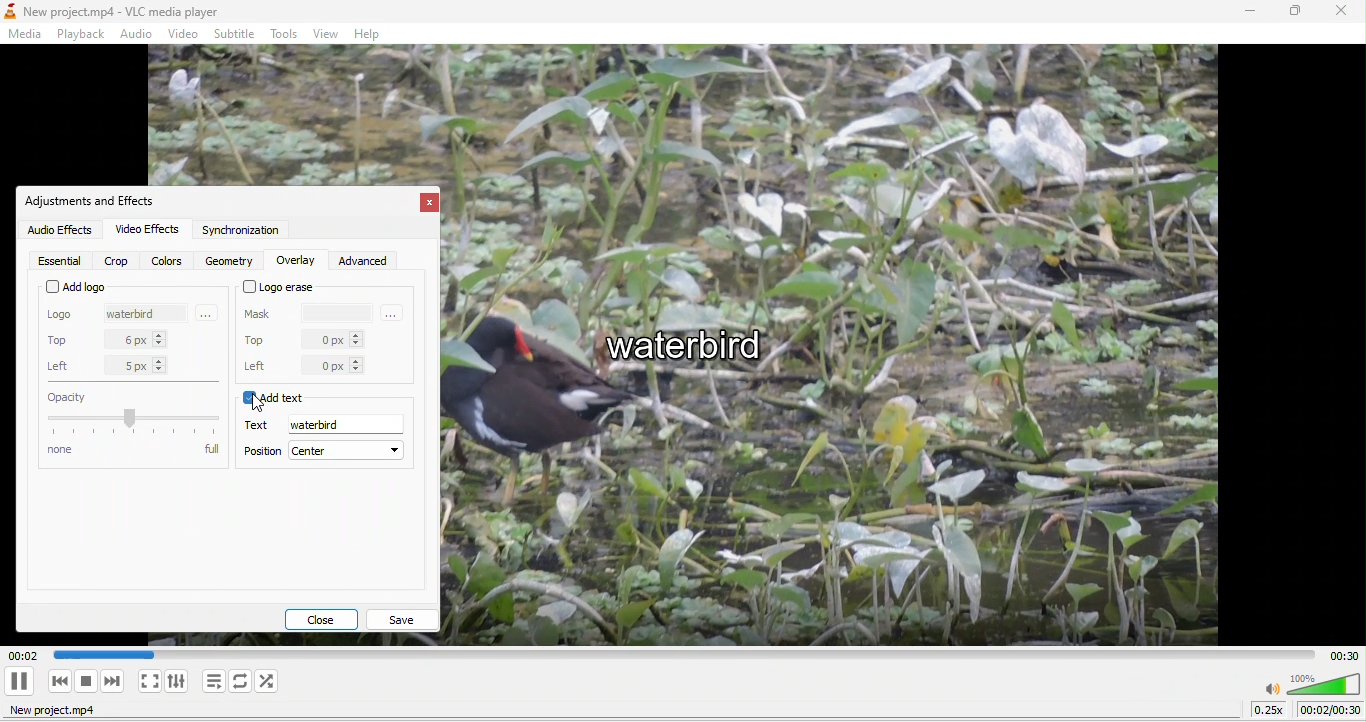 The image size is (1366, 722). What do you see at coordinates (18, 681) in the screenshot?
I see `play` at bounding box center [18, 681].